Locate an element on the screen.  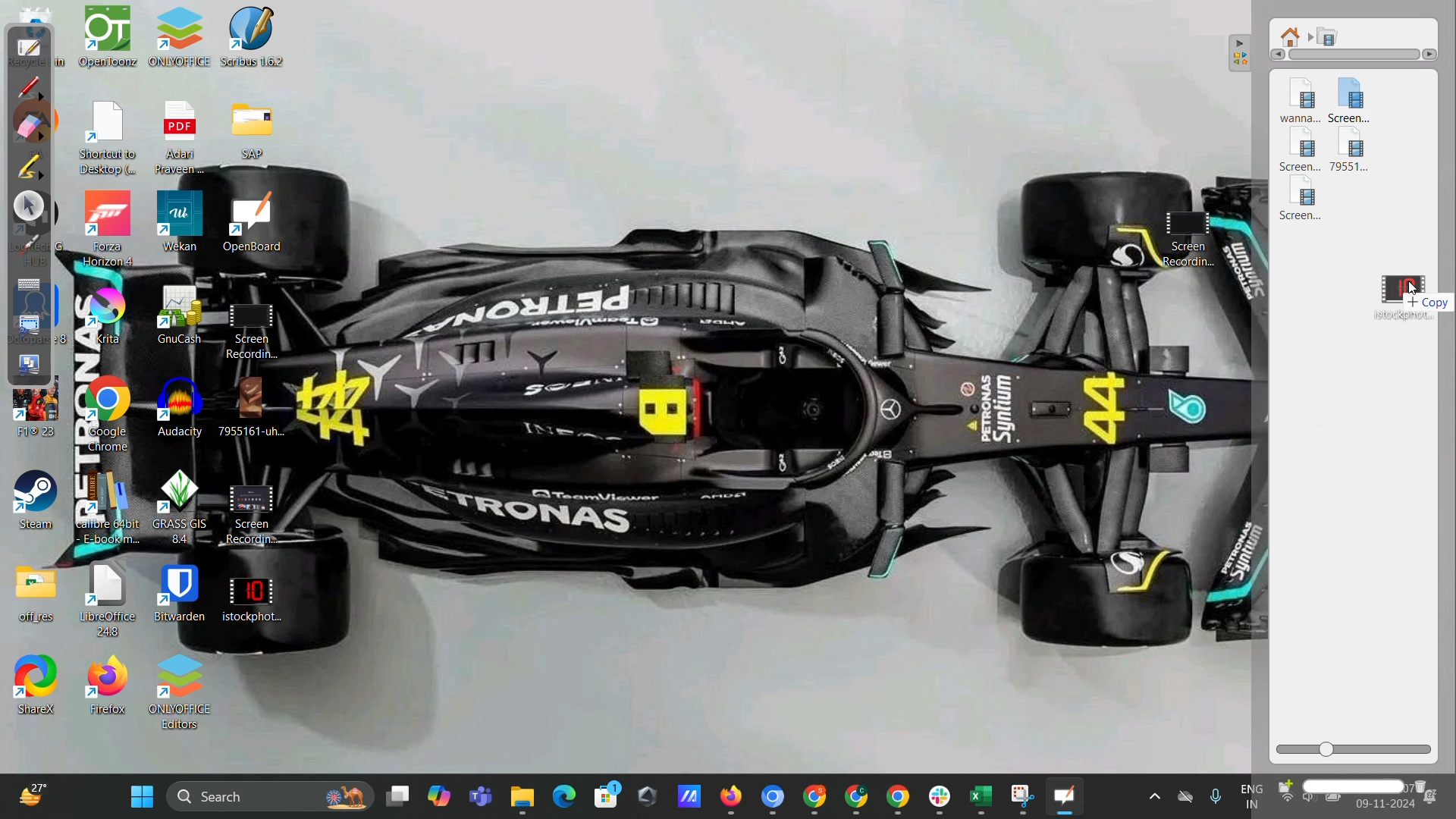
OpenBoard is located at coordinates (255, 221).